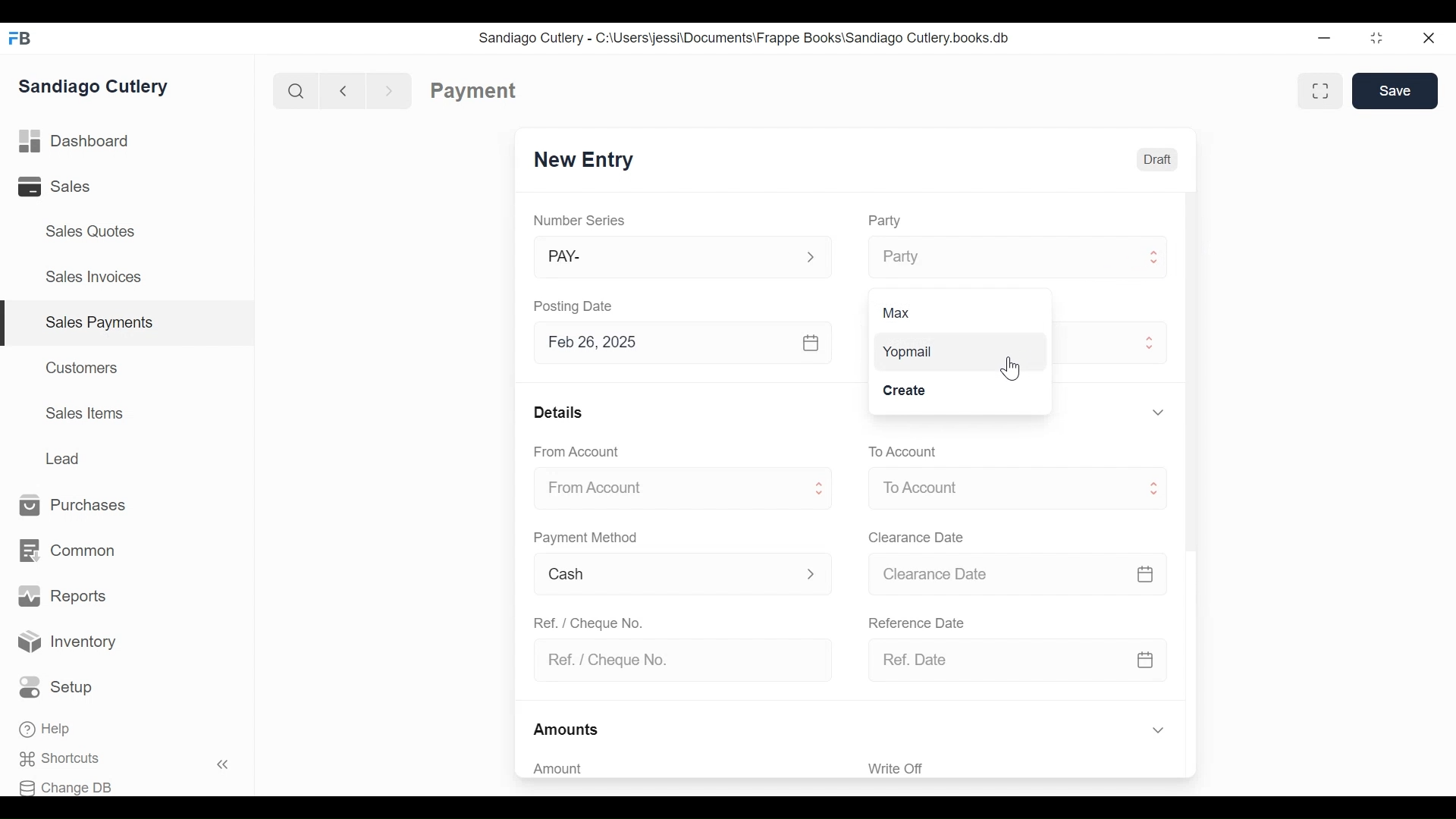 This screenshot has width=1456, height=819. Describe the element at coordinates (68, 642) in the screenshot. I see `Inventory` at that location.